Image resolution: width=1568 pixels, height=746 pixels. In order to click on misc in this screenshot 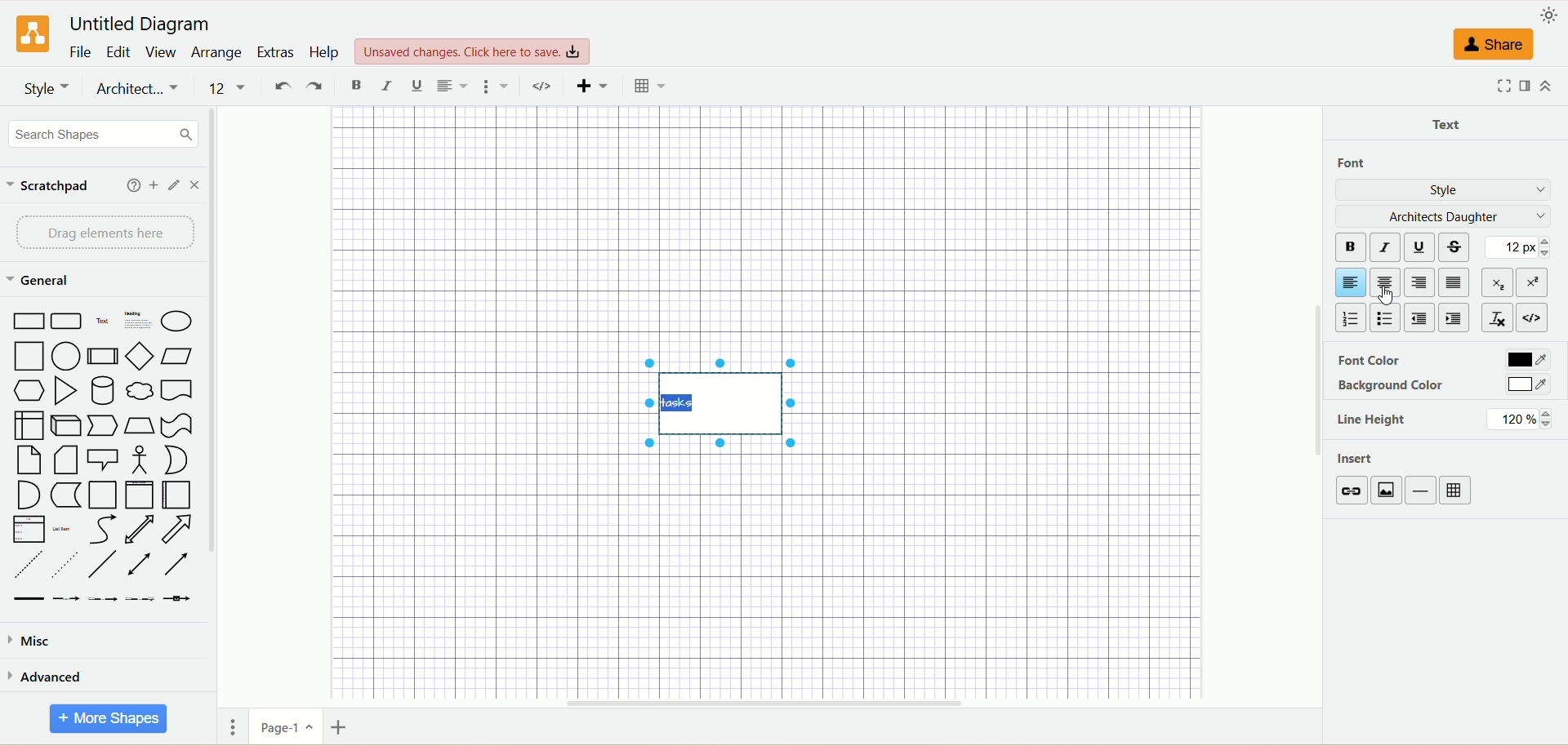, I will do `click(33, 642)`.